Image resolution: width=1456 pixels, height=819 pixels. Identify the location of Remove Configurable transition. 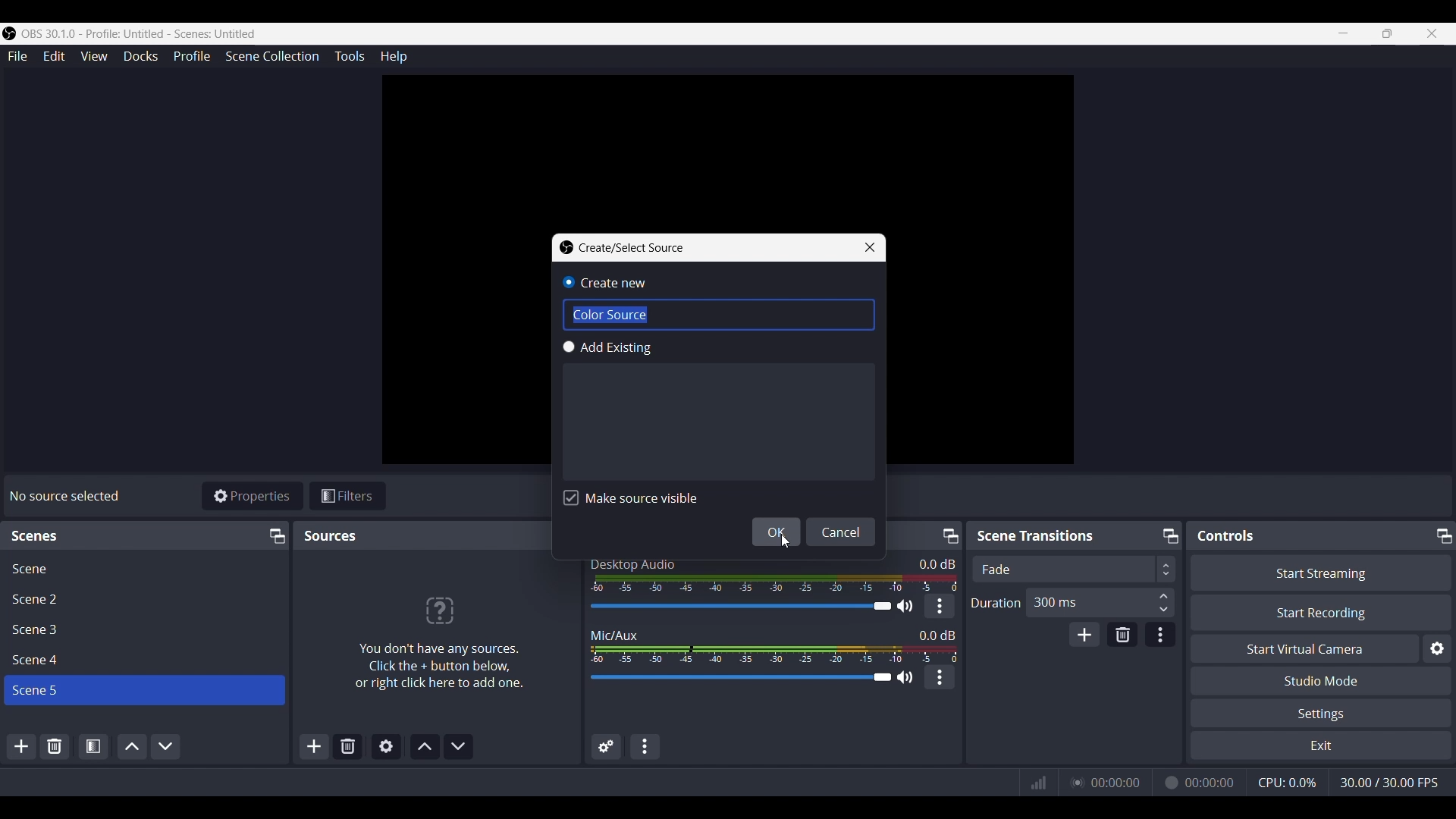
(1122, 634).